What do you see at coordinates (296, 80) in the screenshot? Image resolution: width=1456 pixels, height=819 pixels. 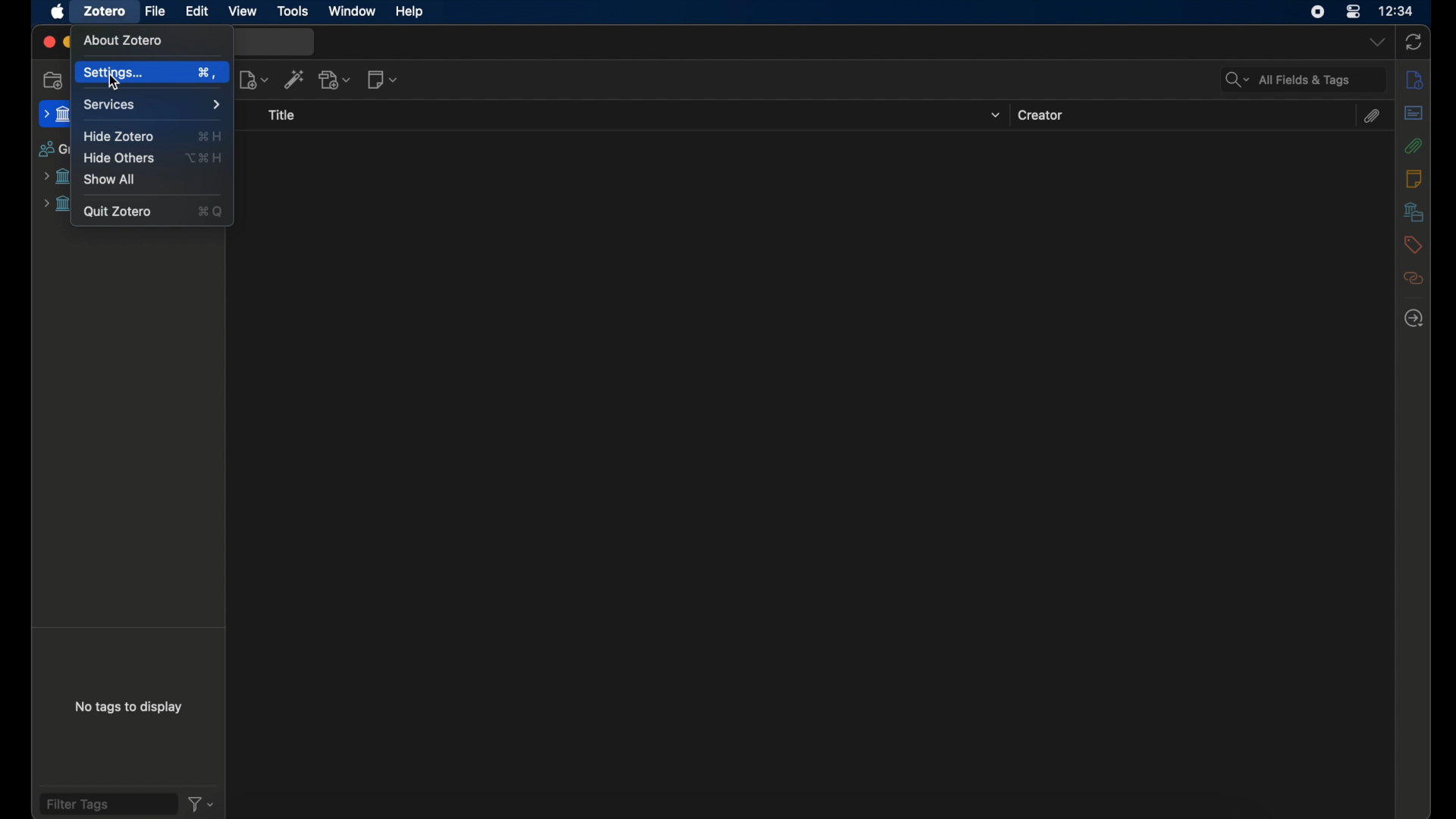 I see `add items by identifier` at bounding box center [296, 80].